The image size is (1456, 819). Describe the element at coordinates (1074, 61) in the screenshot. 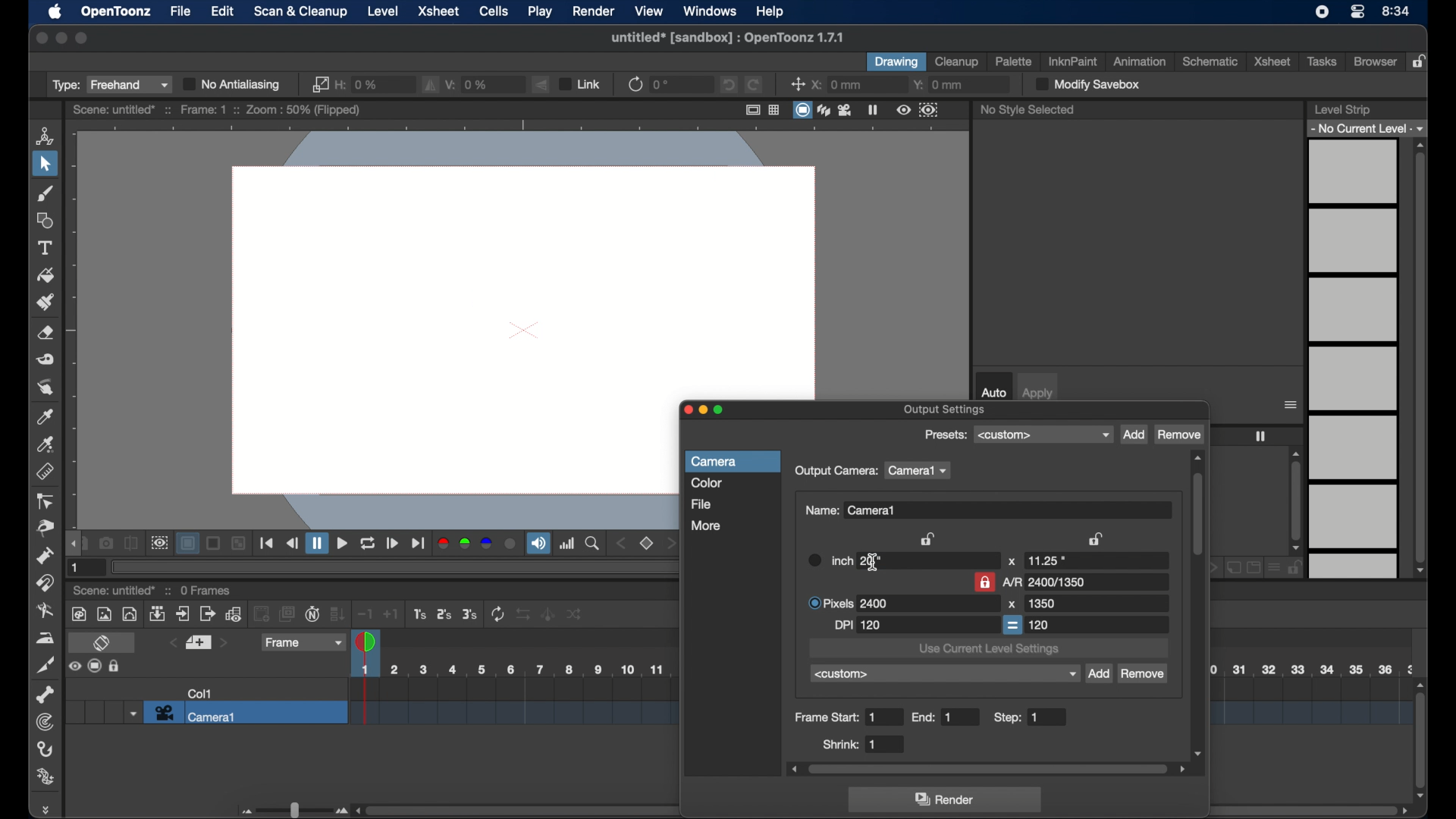

I see `inkinpaint` at that location.